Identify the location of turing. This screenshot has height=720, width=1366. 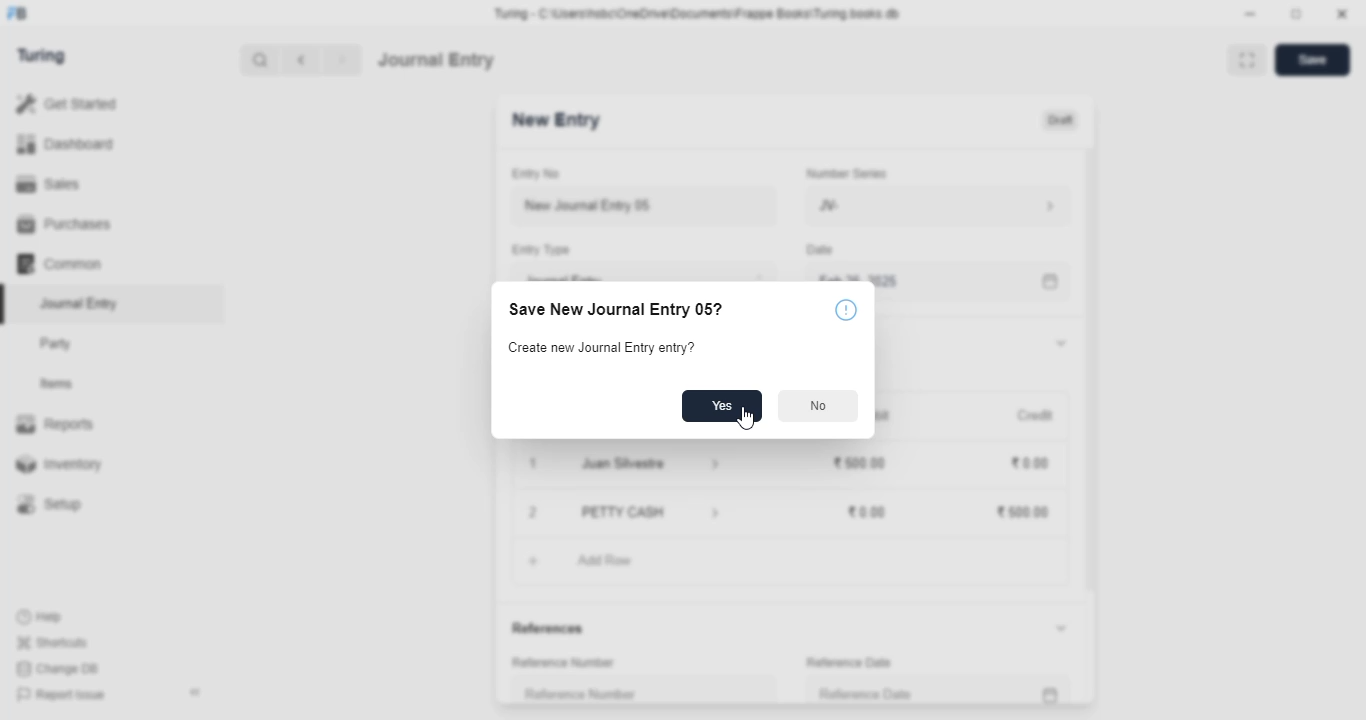
(42, 57).